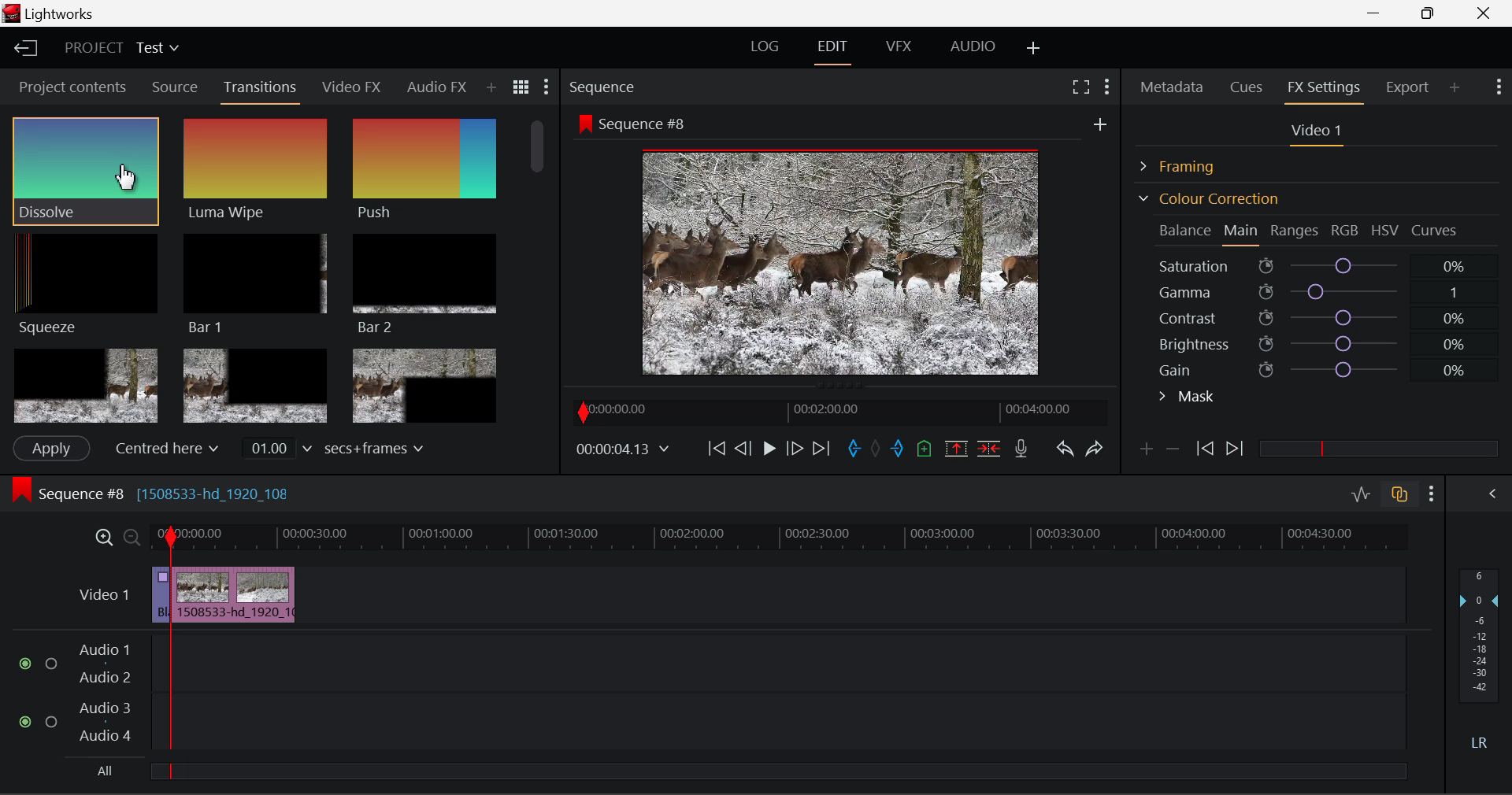 This screenshot has width=1512, height=795. Describe the element at coordinates (1021, 448) in the screenshot. I see `Recrod Voiceover` at that location.